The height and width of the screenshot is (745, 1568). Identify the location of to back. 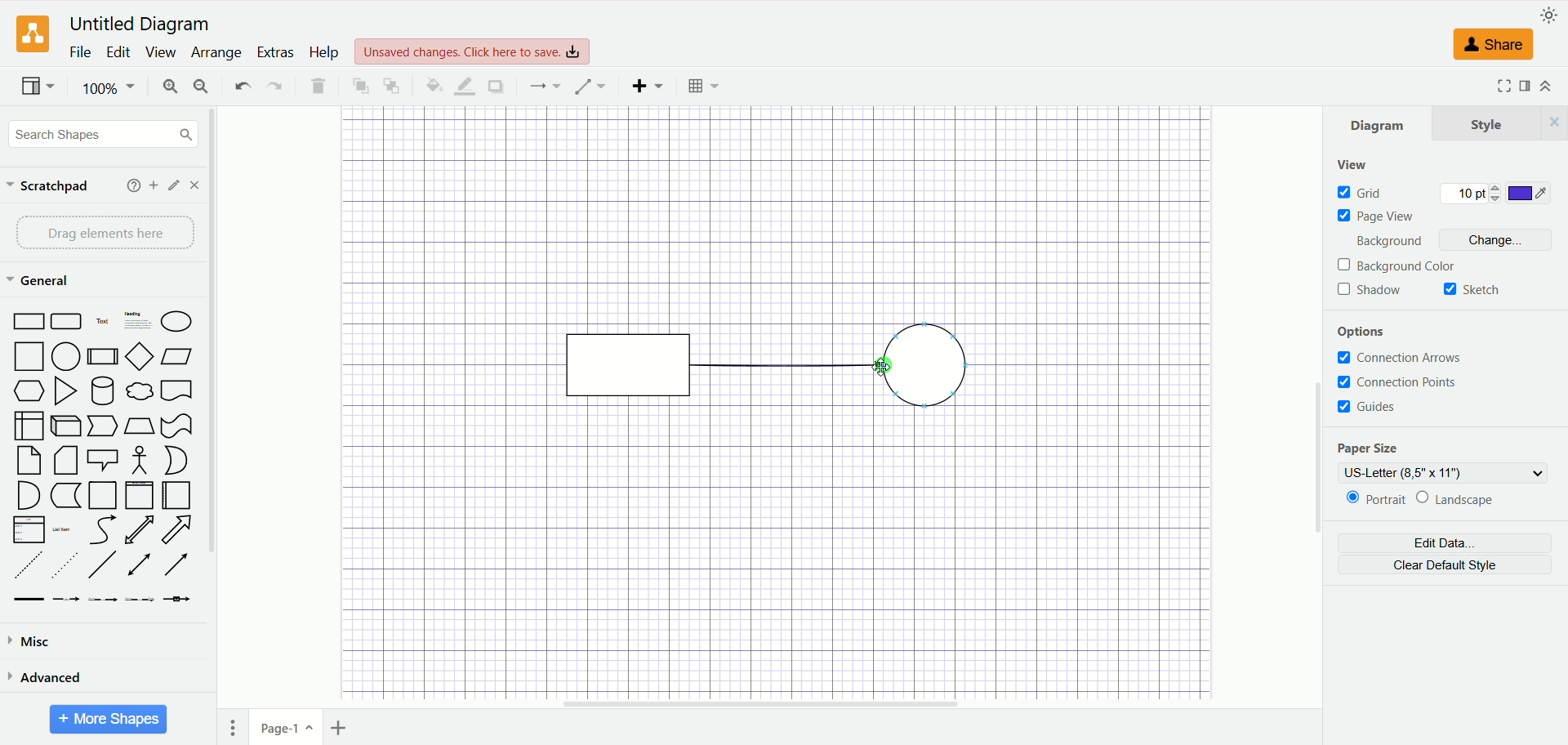
(390, 85).